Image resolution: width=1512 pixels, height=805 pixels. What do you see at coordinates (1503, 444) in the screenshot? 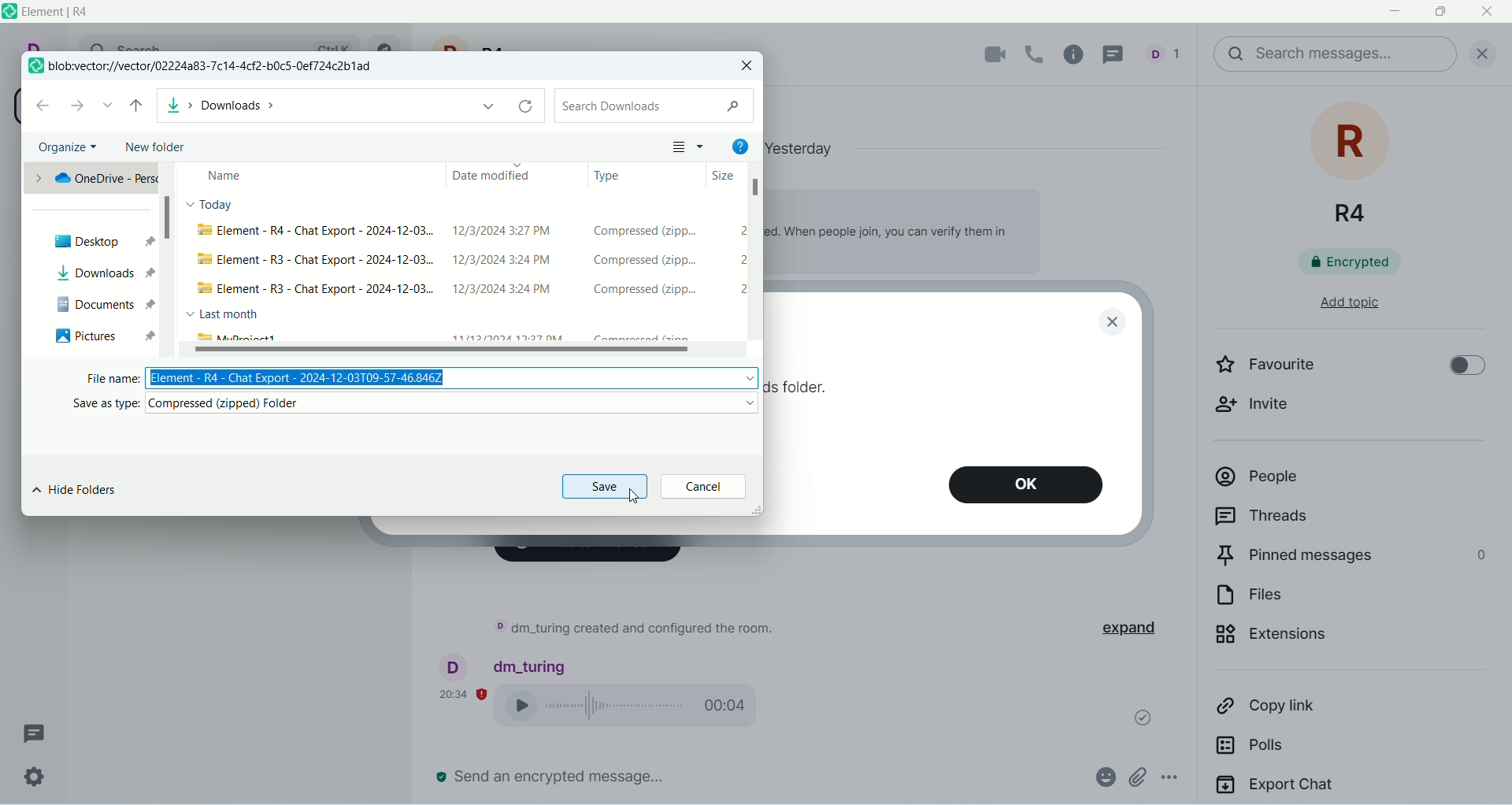
I see `vertical scroll bar` at bounding box center [1503, 444].